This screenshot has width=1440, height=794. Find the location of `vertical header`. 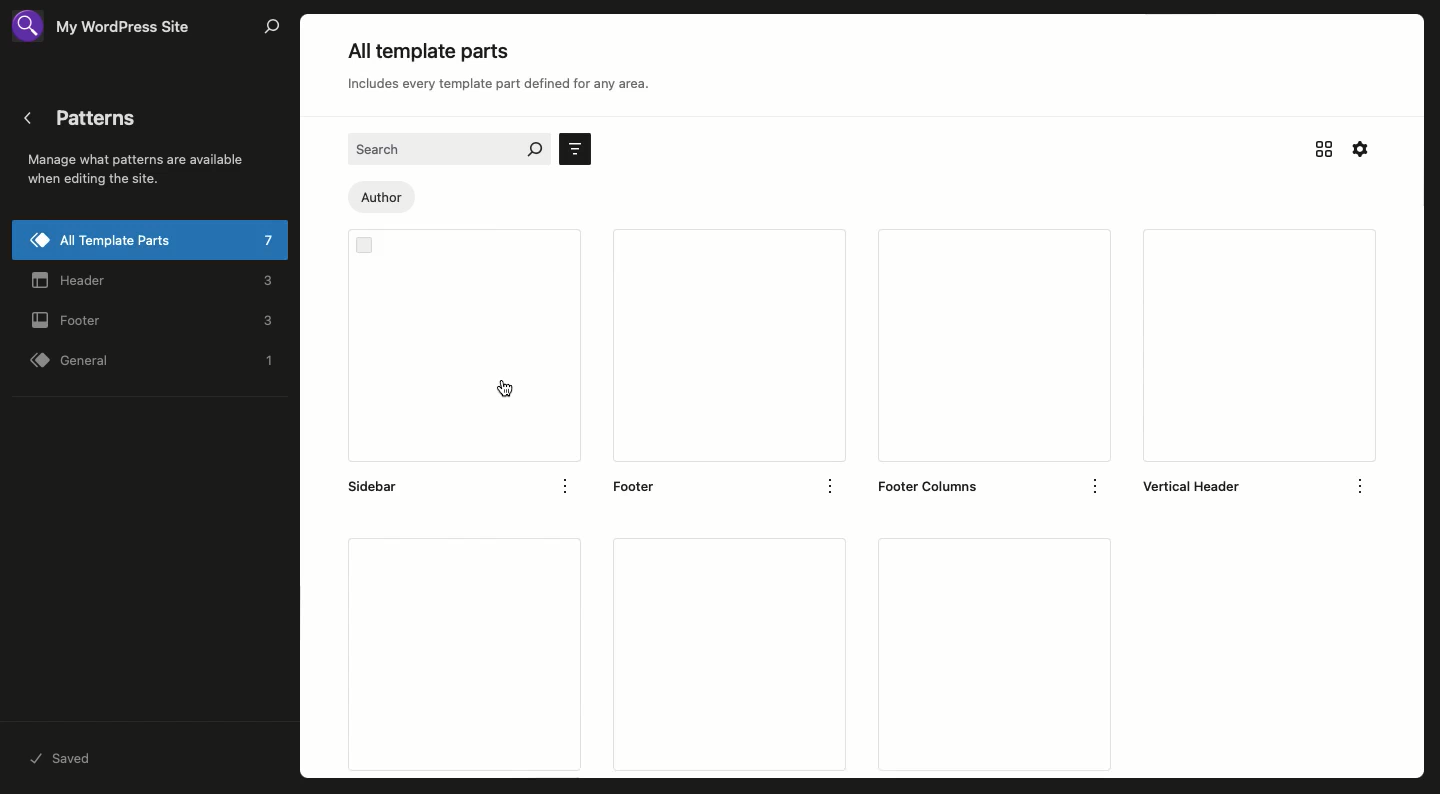

vertical header is located at coordinates (1193, 487).